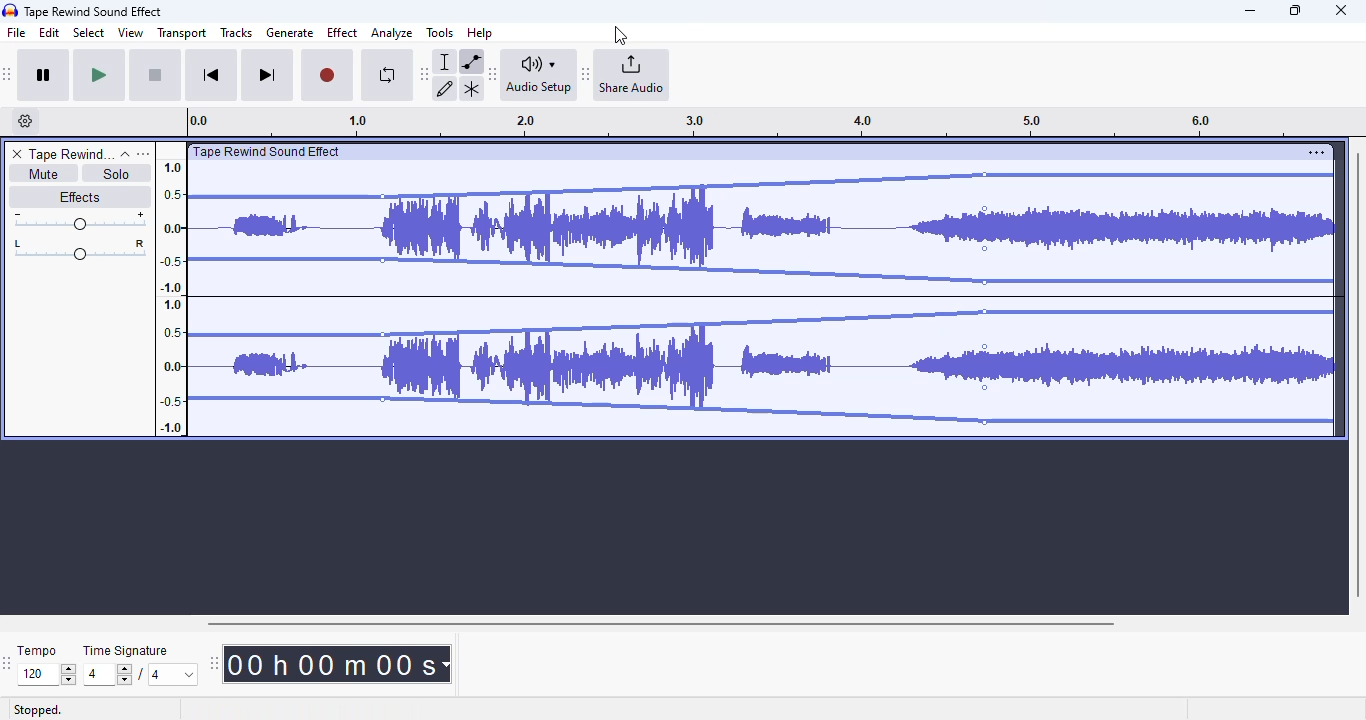 This screenshot has width=1366, height=720. I want to click on Control point, so click(985, 282).